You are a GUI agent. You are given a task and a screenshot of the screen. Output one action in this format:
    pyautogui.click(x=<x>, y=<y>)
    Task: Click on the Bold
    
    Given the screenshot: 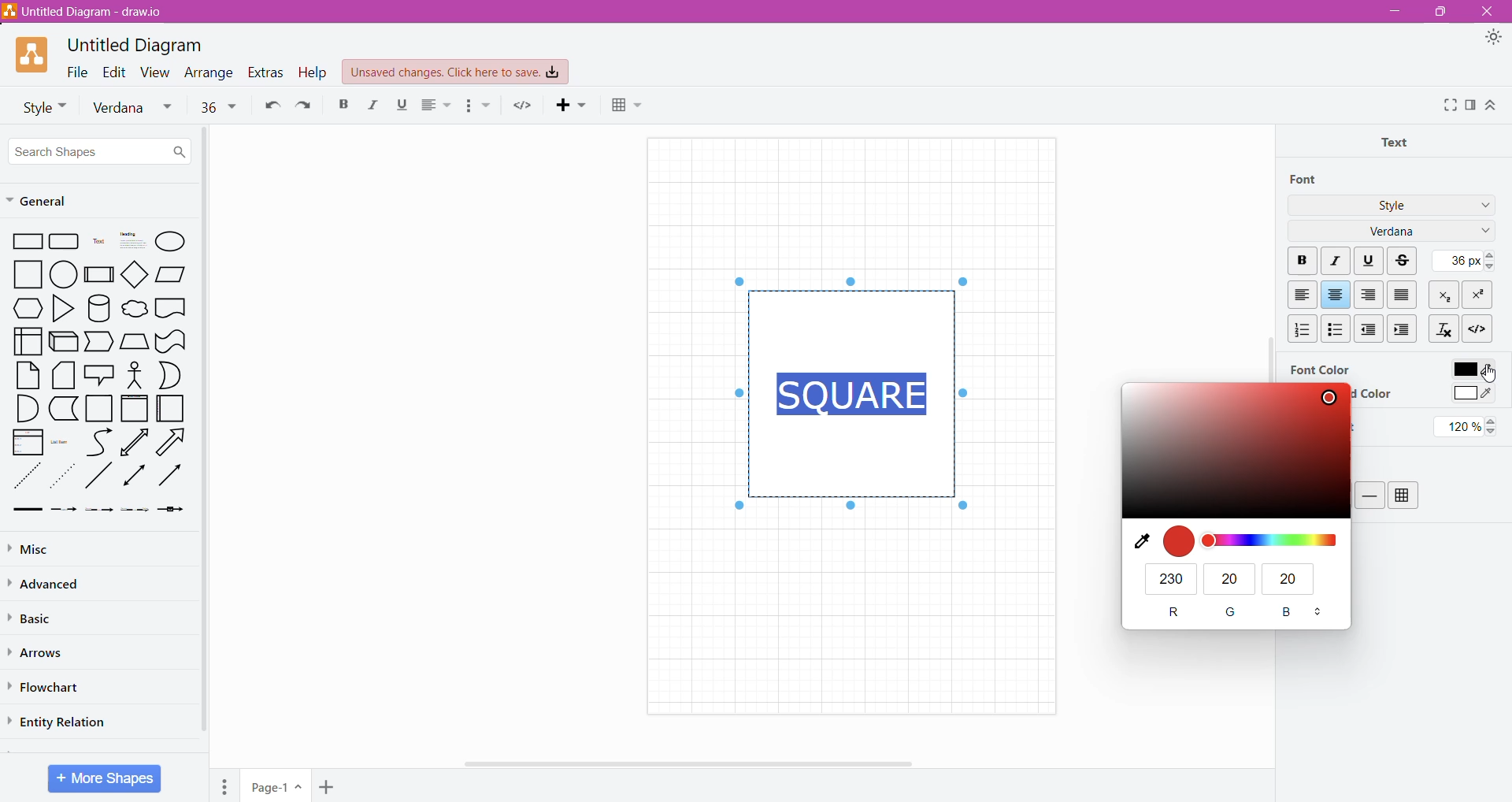 What is the action you would take?
    pyautogui.click(x=342, y=103)
    